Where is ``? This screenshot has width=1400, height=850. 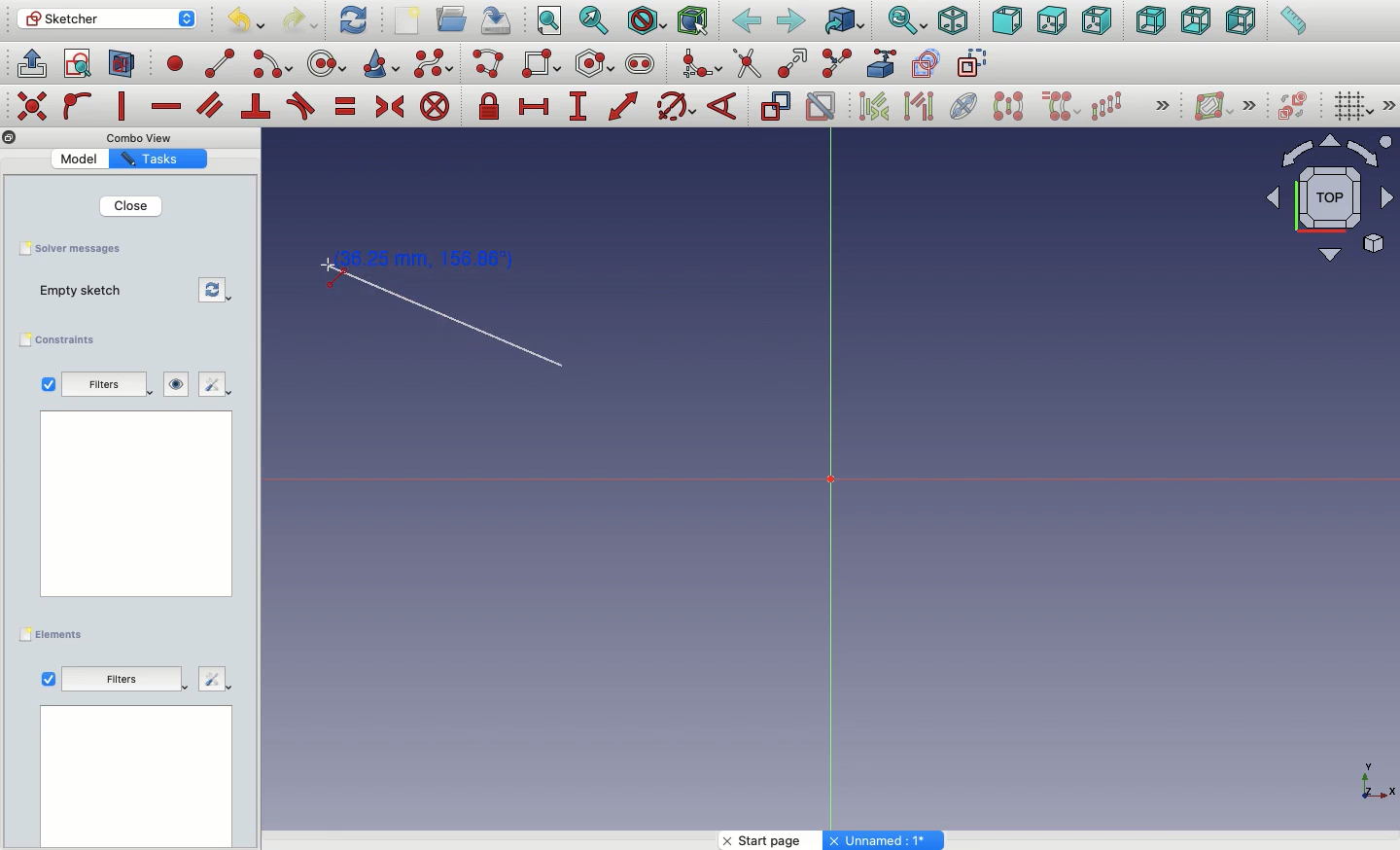
 is located at coordinates (1370, 780).